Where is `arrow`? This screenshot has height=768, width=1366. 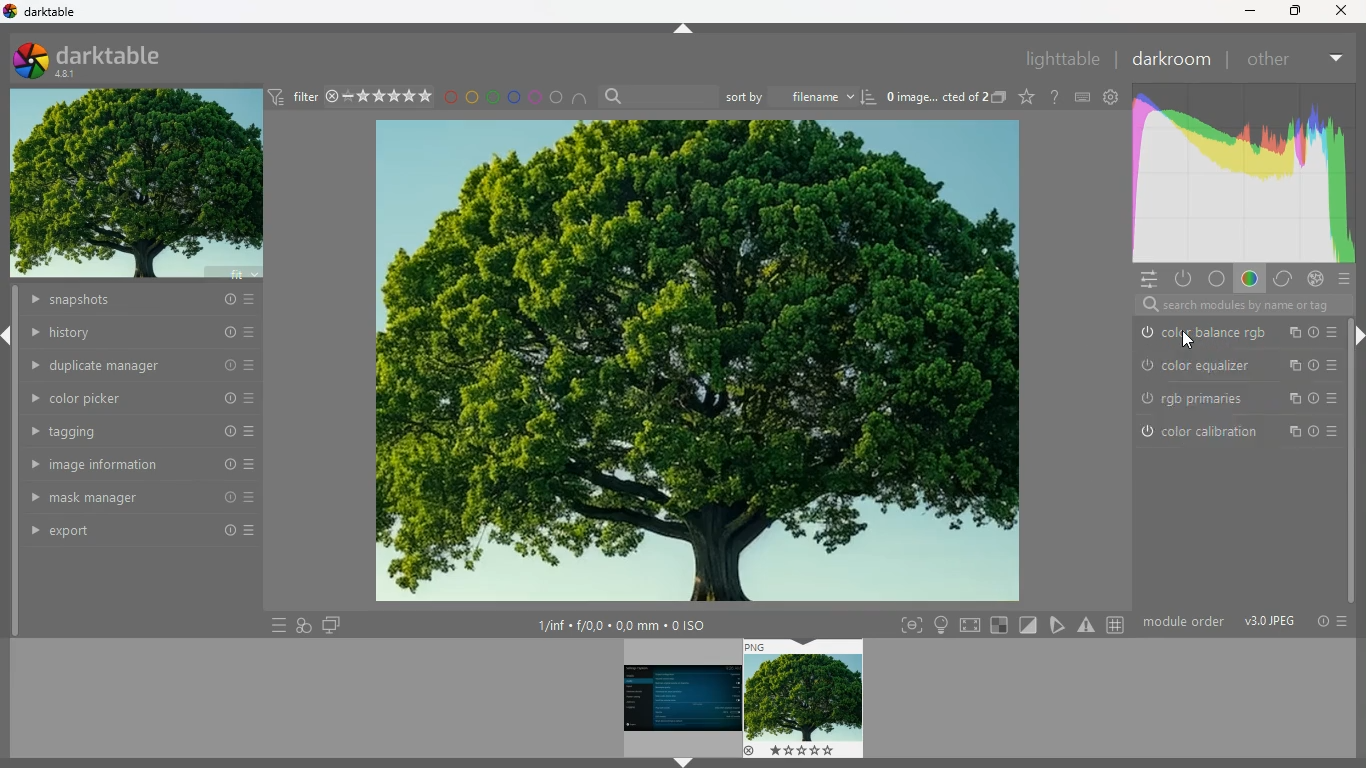 arrow is located at coordinates (1357, 337).